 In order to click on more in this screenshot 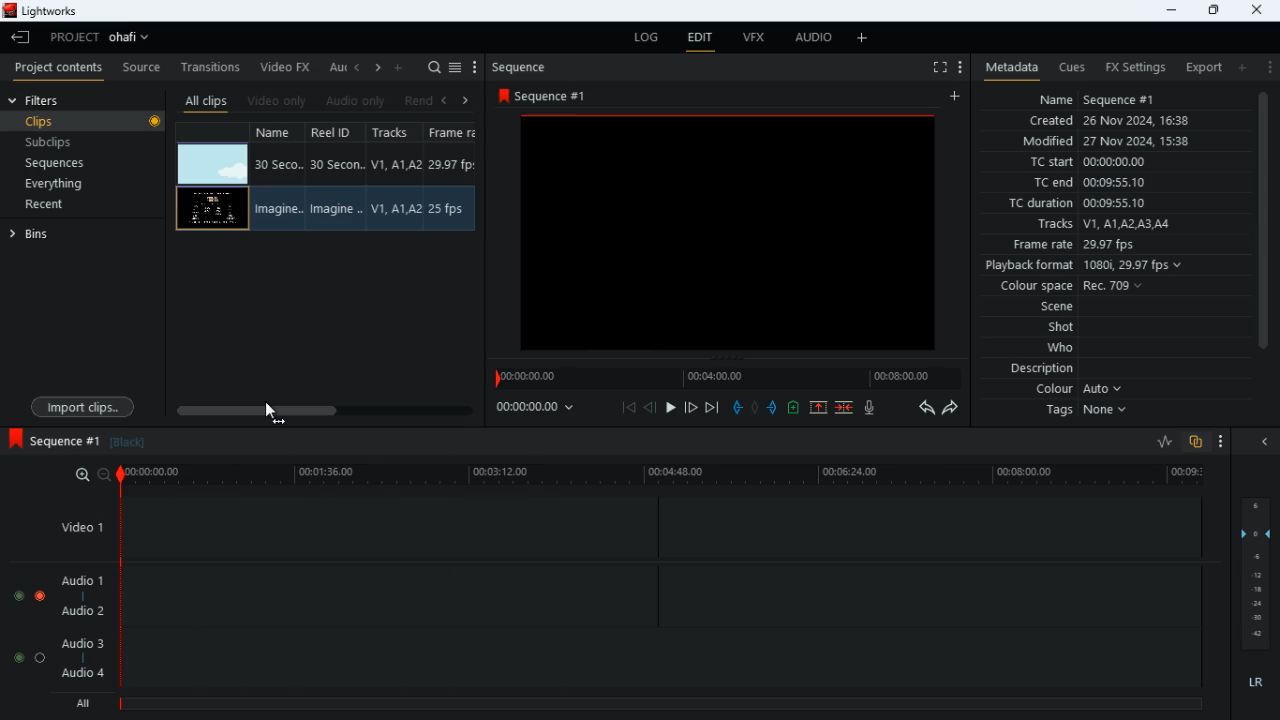, I will do `click(1224, 440)`.